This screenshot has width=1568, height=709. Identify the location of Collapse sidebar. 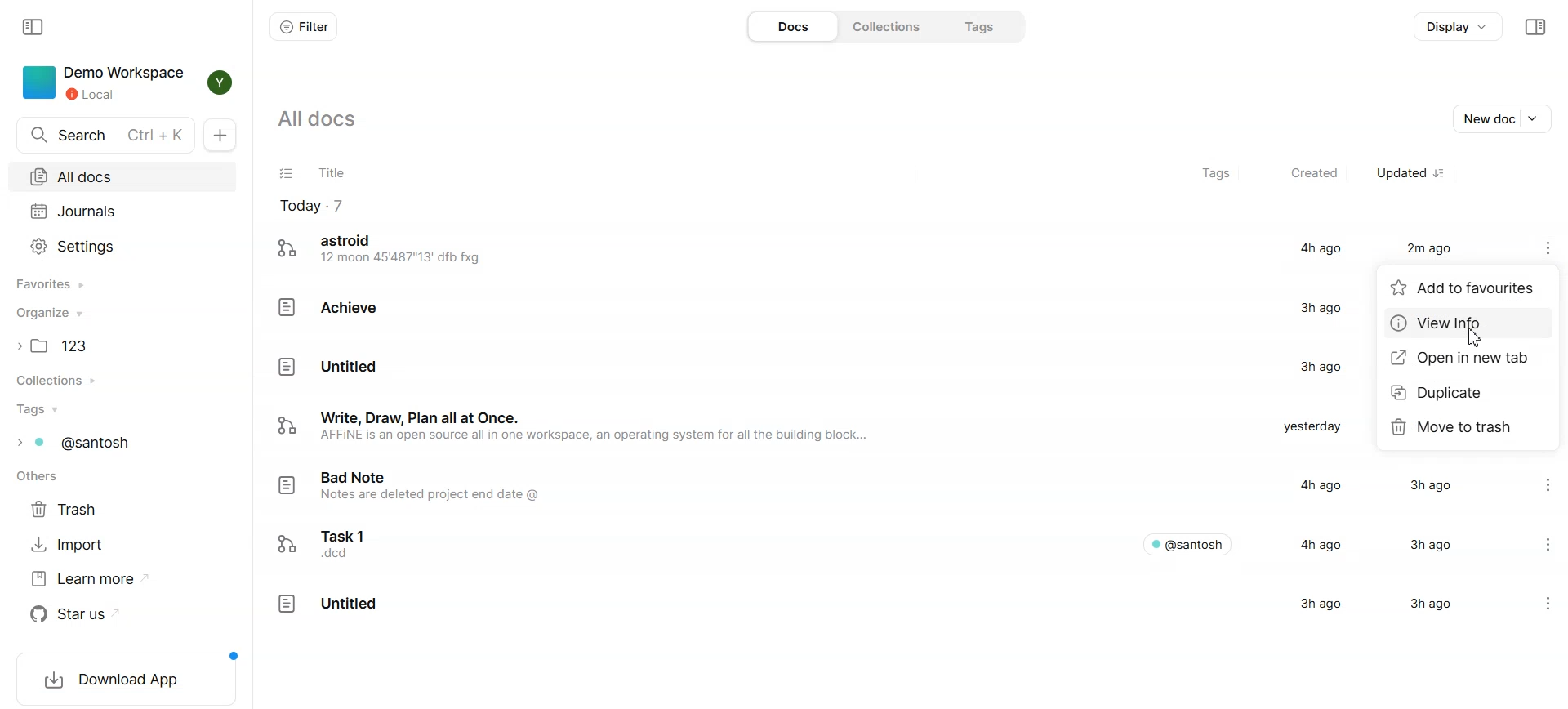
(1535, 28).